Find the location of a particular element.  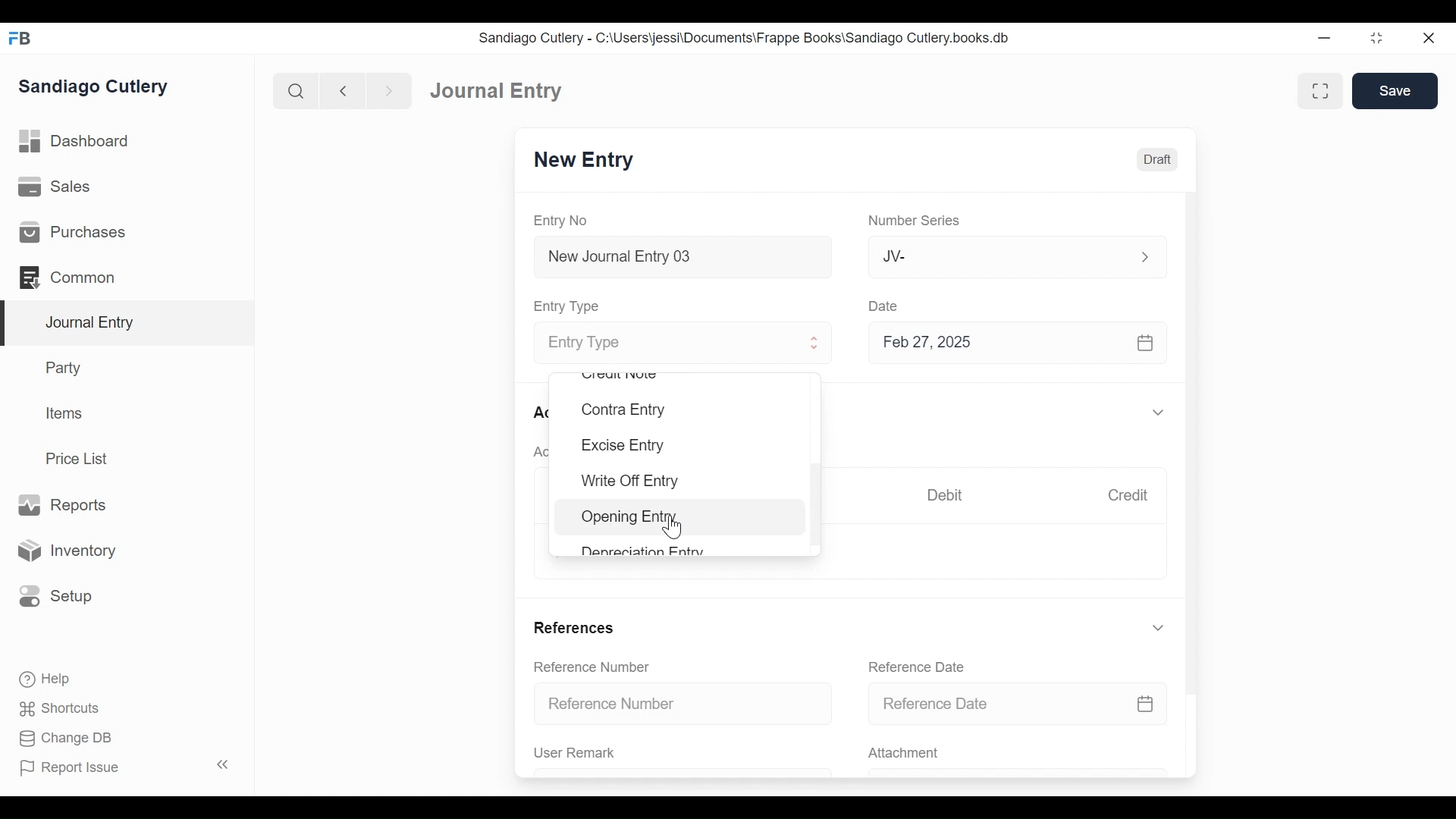

Close is located at coordinates (1427, 38).